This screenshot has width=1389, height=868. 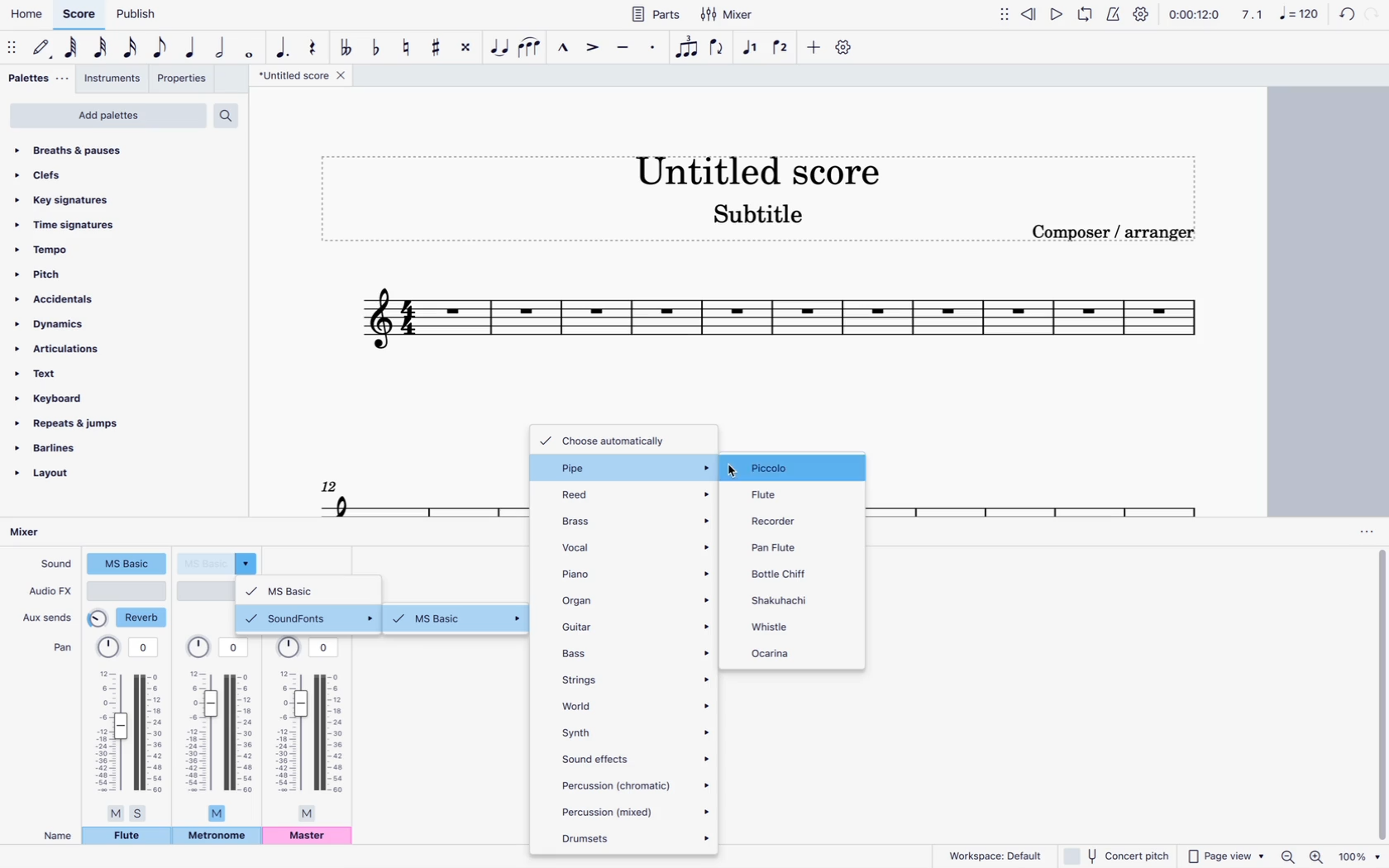 I want to click on score title, so click(x=301, y=77).